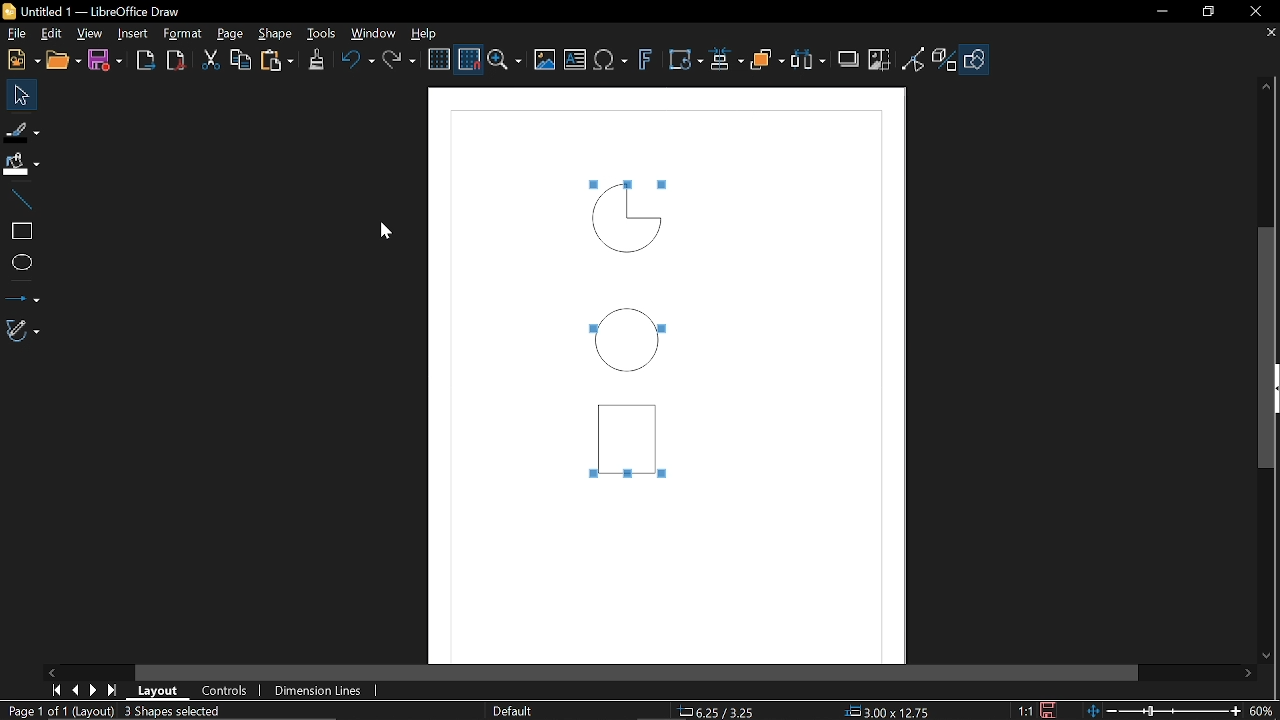 Image resolution: width=1280 pixels, height=720 pixels. Describe the element at coordinates (575, 59) in the screenshot. I see `insert text` at that location.